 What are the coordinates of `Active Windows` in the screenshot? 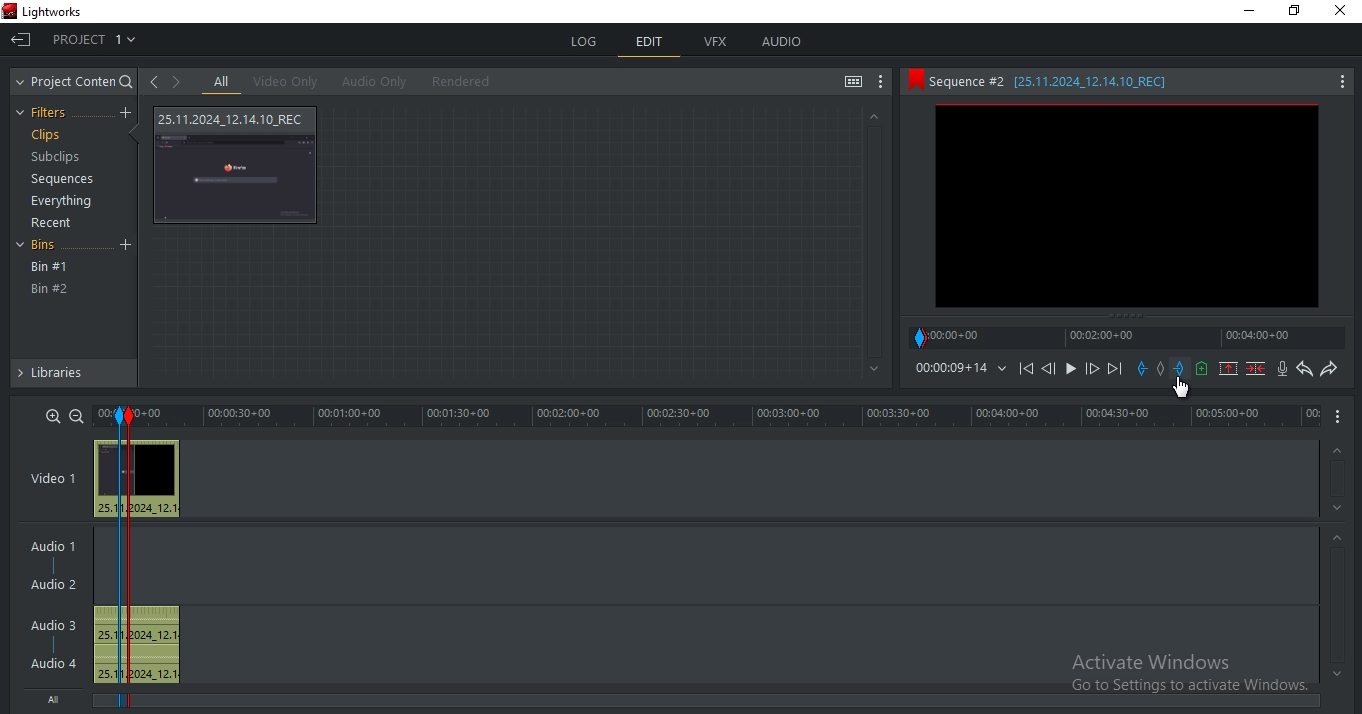 It's located at (1182, 676).